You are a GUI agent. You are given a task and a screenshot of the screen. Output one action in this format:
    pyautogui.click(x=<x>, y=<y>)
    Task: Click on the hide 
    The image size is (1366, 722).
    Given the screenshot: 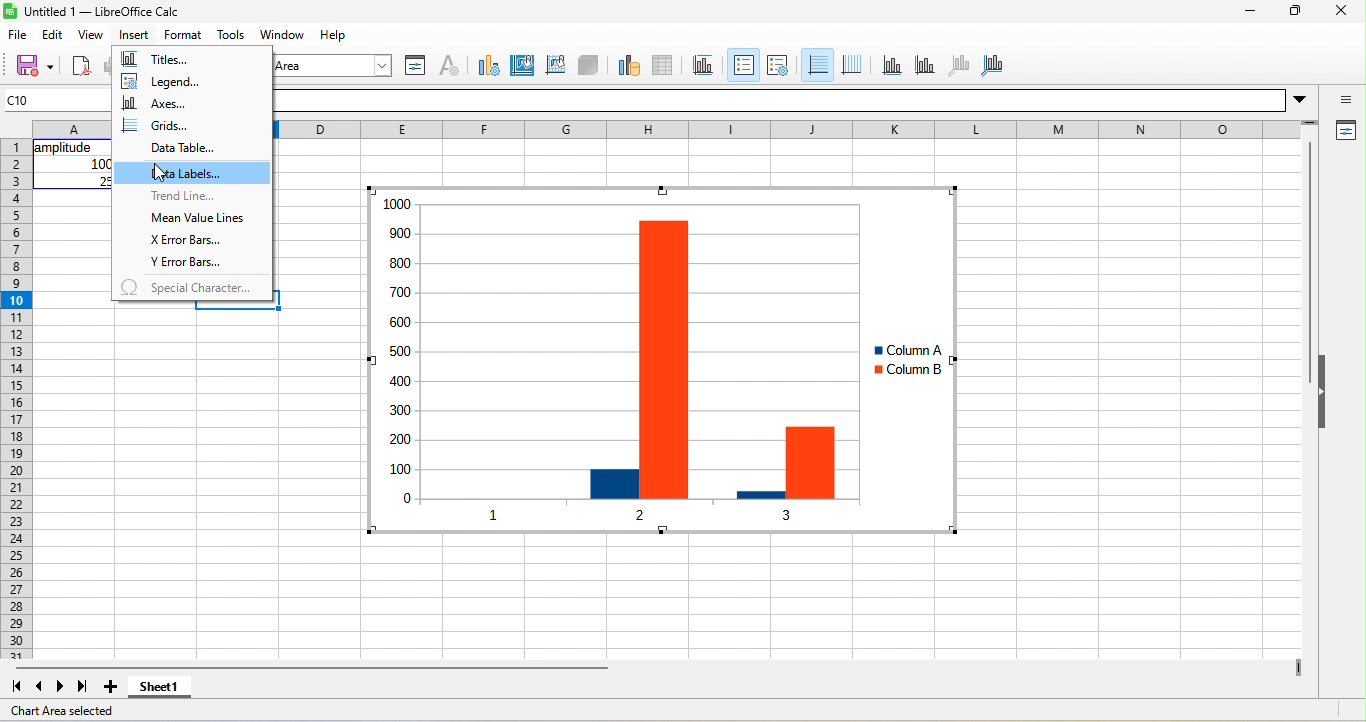 What is the action you would take?
    pyautogui.click(x=1325, y=393)
    